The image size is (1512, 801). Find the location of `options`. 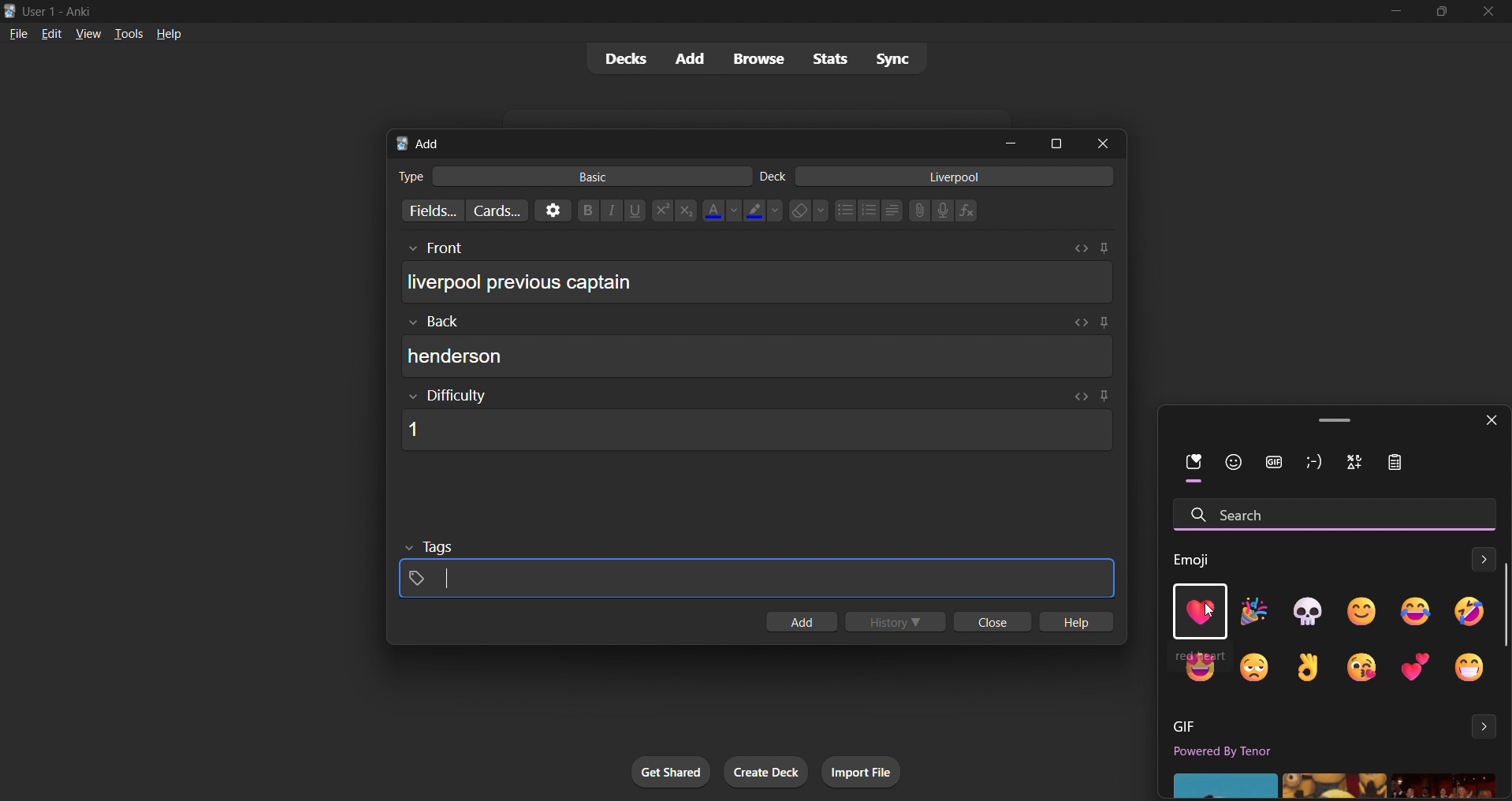

options is located at coordinates (550, 210).